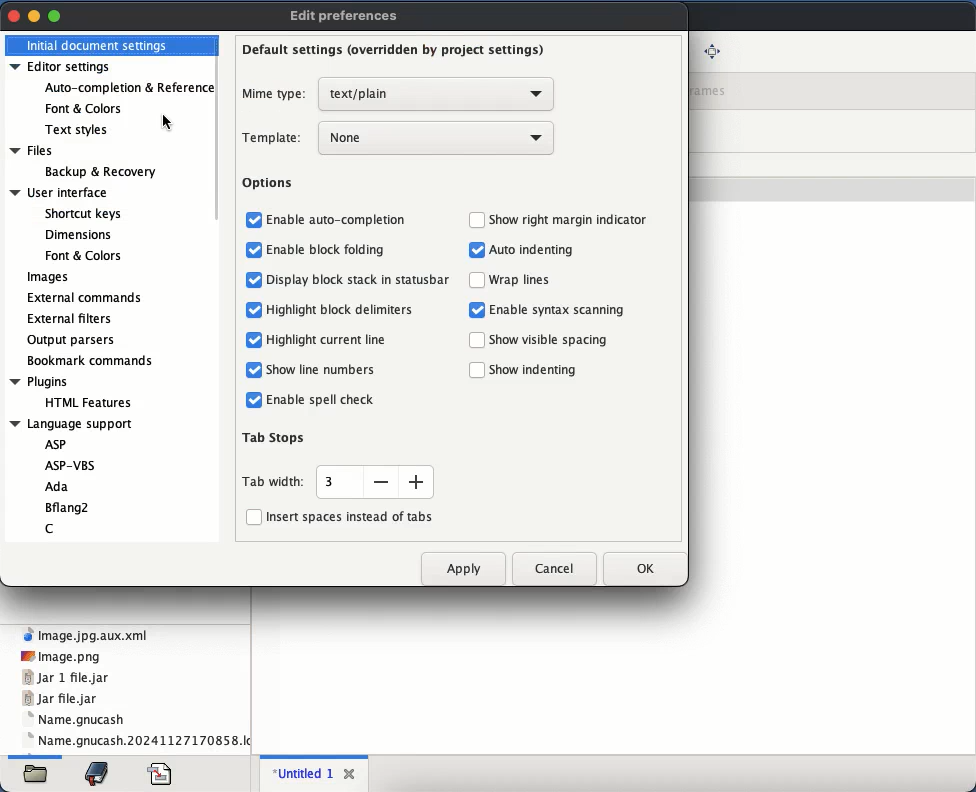 The width and height of the screenshot is (976, 792). Describe the element at coordinates (63, 700) in the screenshot. I see `jar file.jar` at that location.